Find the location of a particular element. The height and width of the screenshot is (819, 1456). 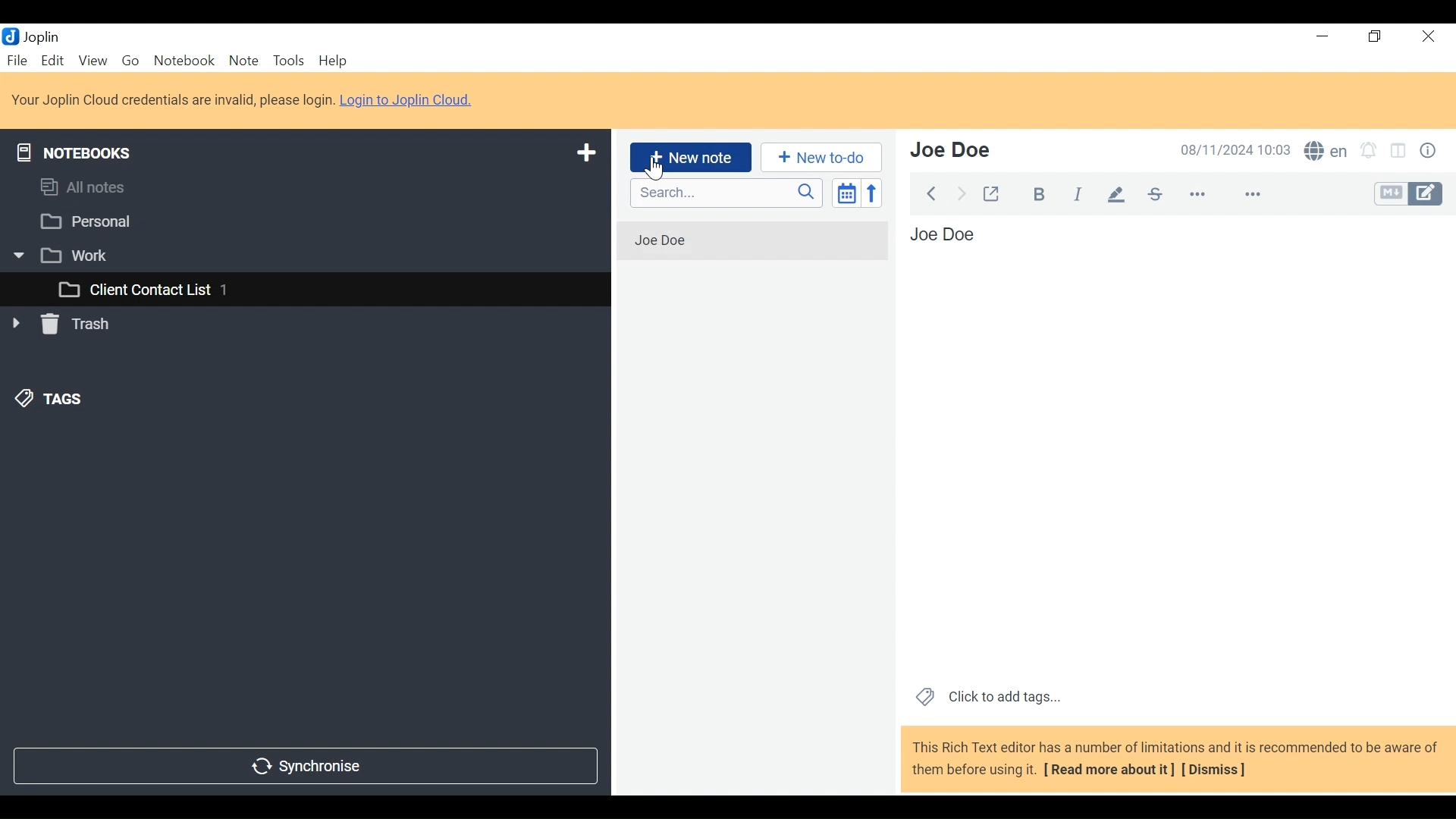

Spell checker is located at coordinates (1326, 150).